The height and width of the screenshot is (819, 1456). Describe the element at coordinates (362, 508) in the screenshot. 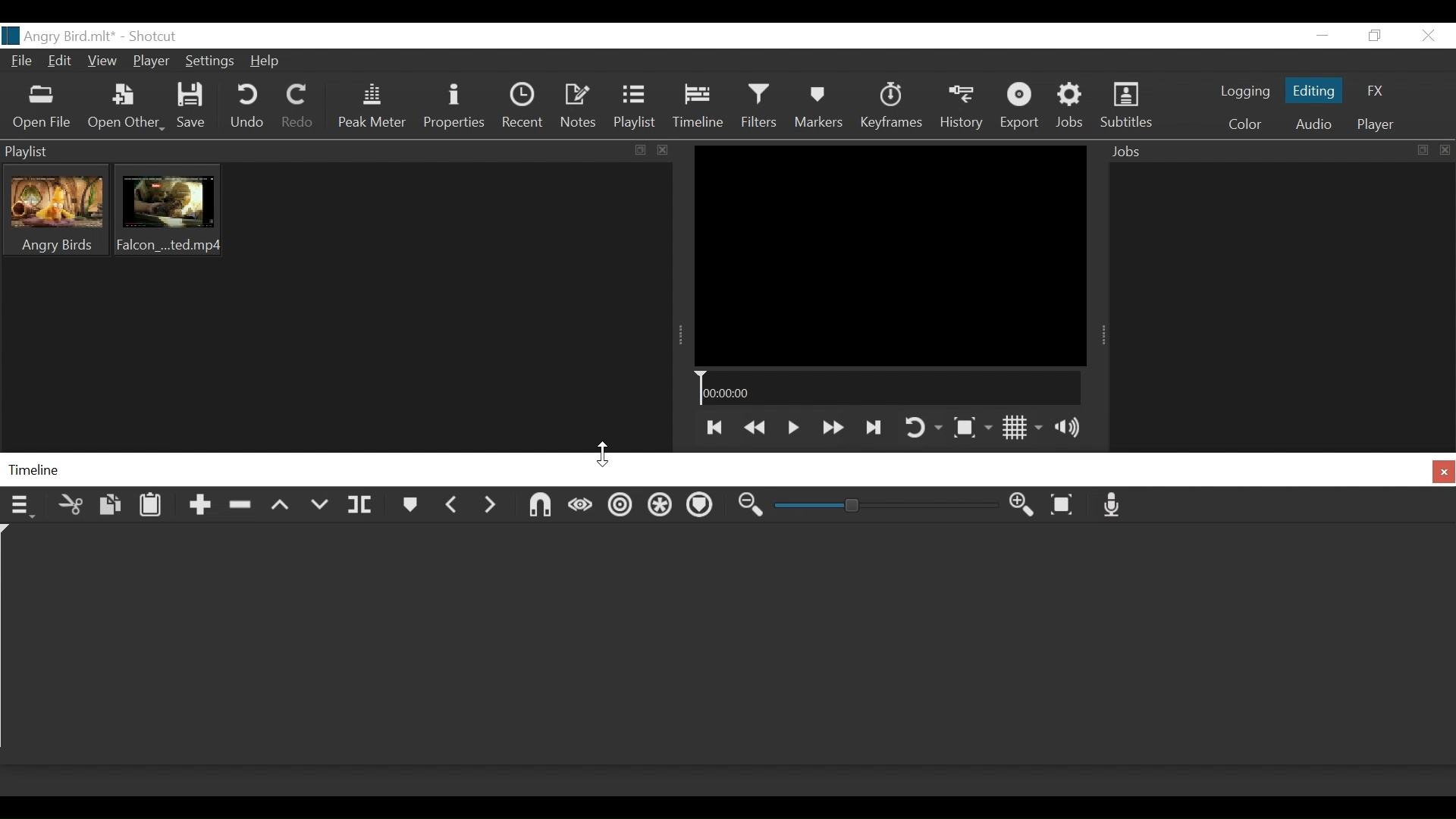

I see `Split at playhead` at that location.